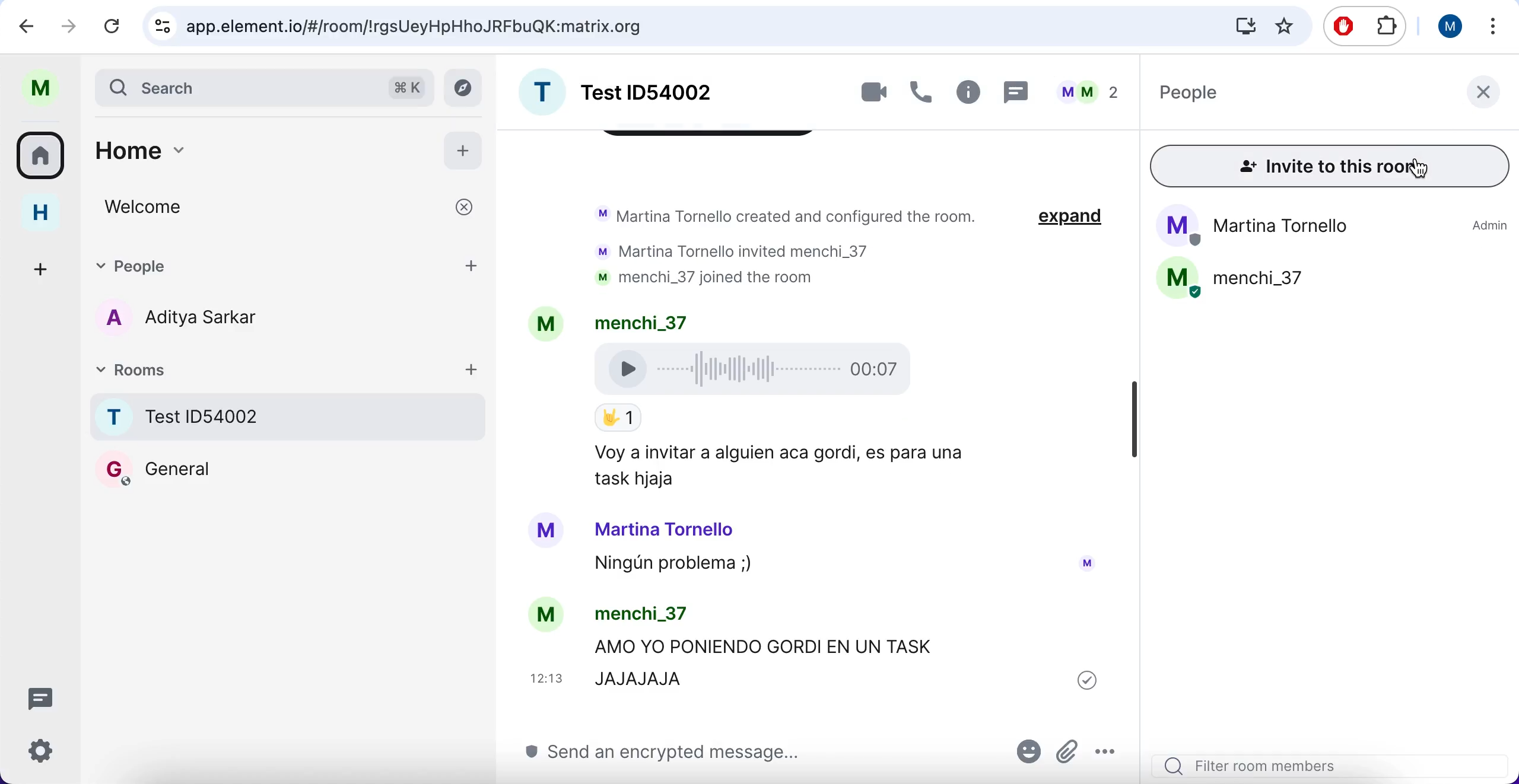  I want to click on expand, so click(1076, 219).